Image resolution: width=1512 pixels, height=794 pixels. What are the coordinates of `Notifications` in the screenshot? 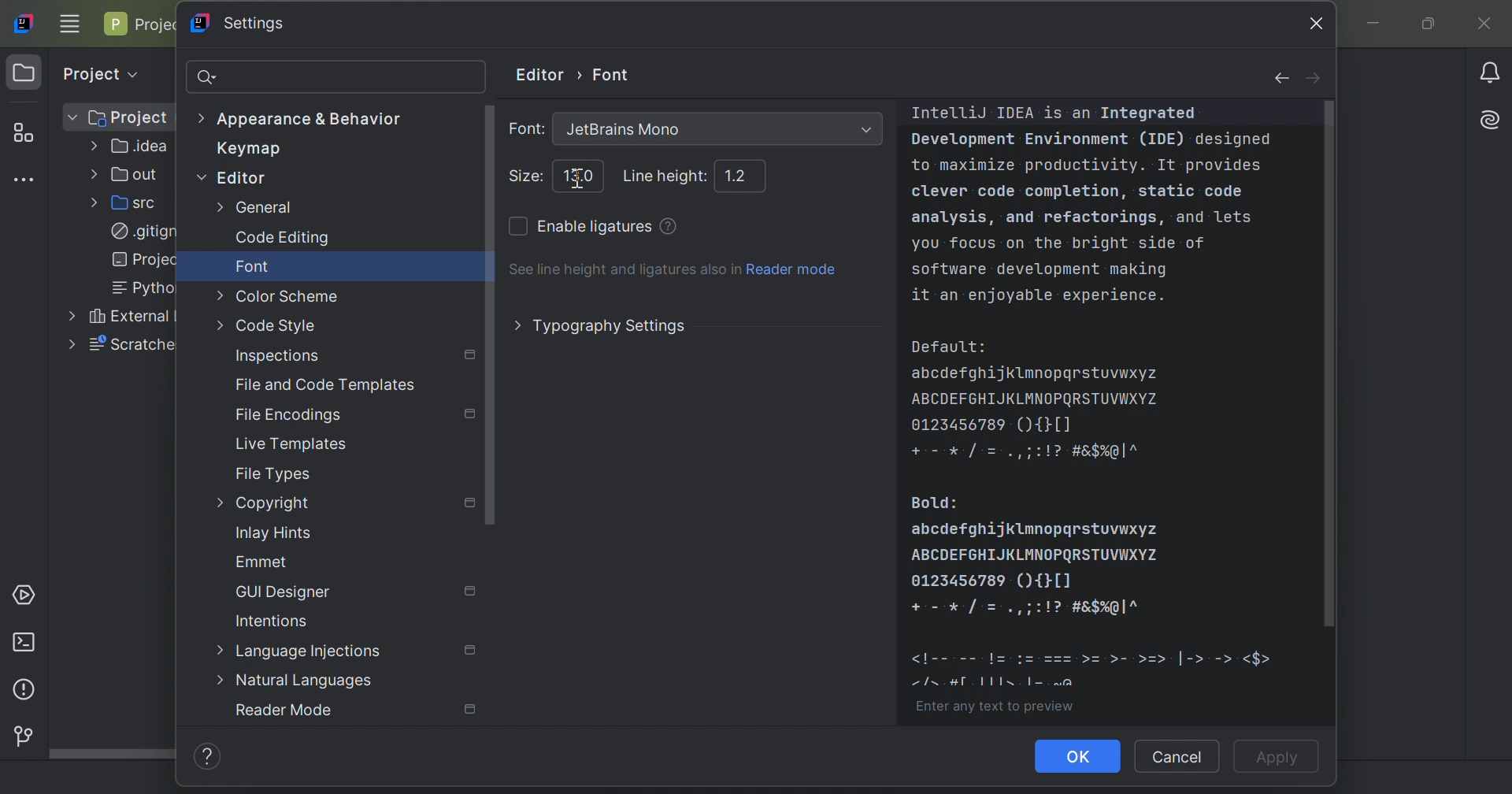 It's located at (1492, 72).